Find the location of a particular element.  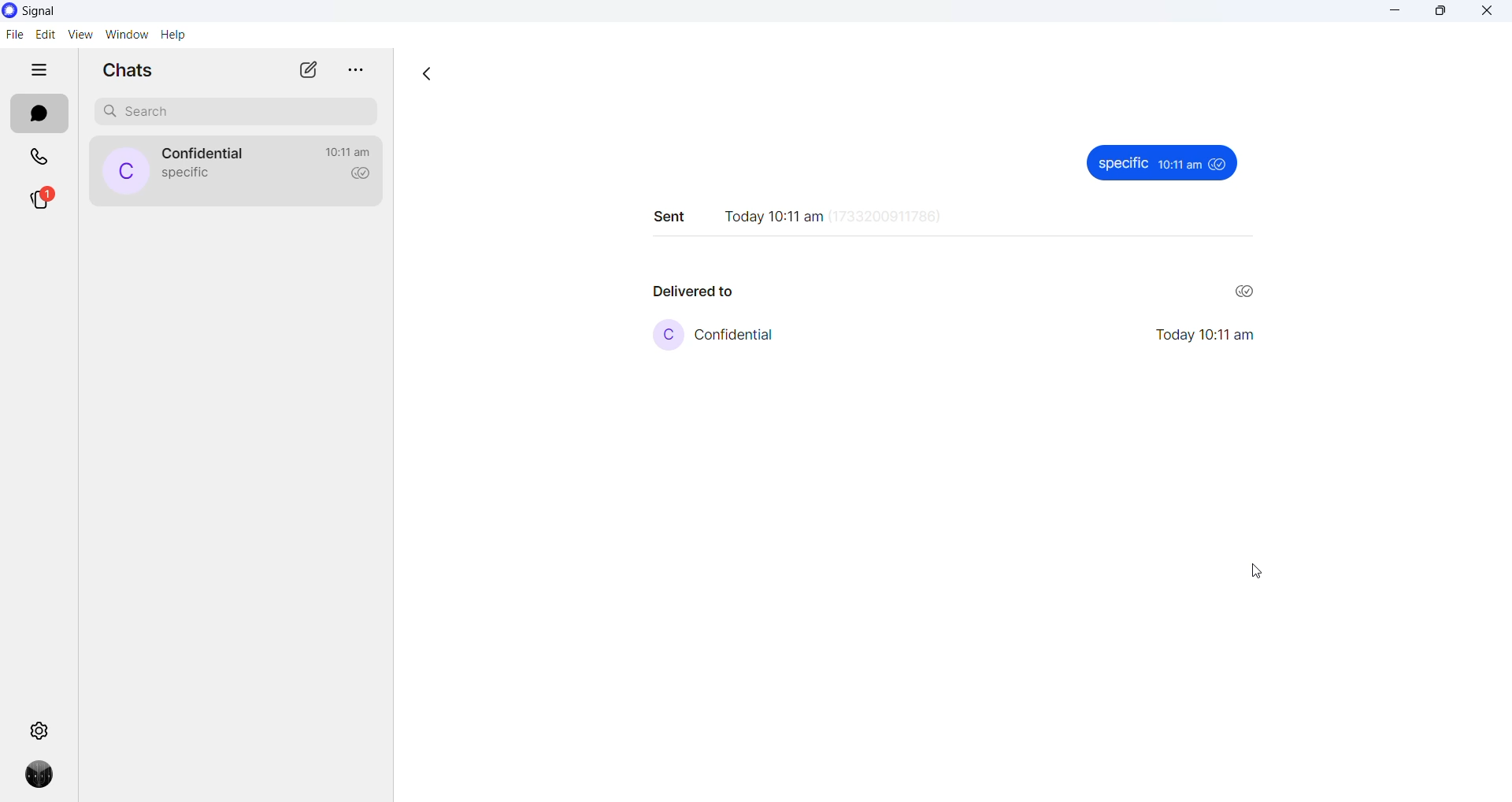

signal logo is located at coordinates (55, 13).